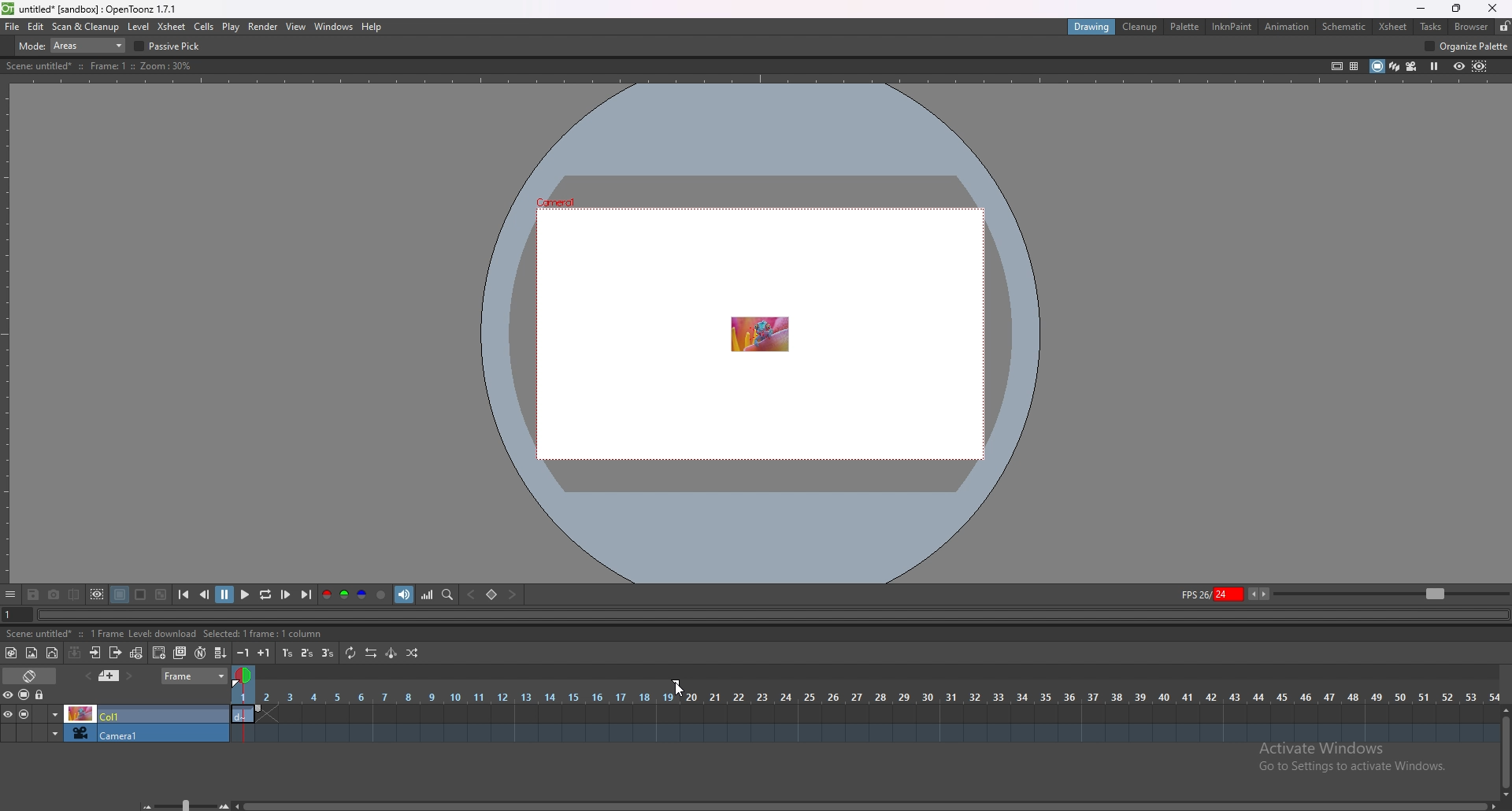  Describe the element at coordinates (428, 594) in the screenshot. I see `histogram` at that location.